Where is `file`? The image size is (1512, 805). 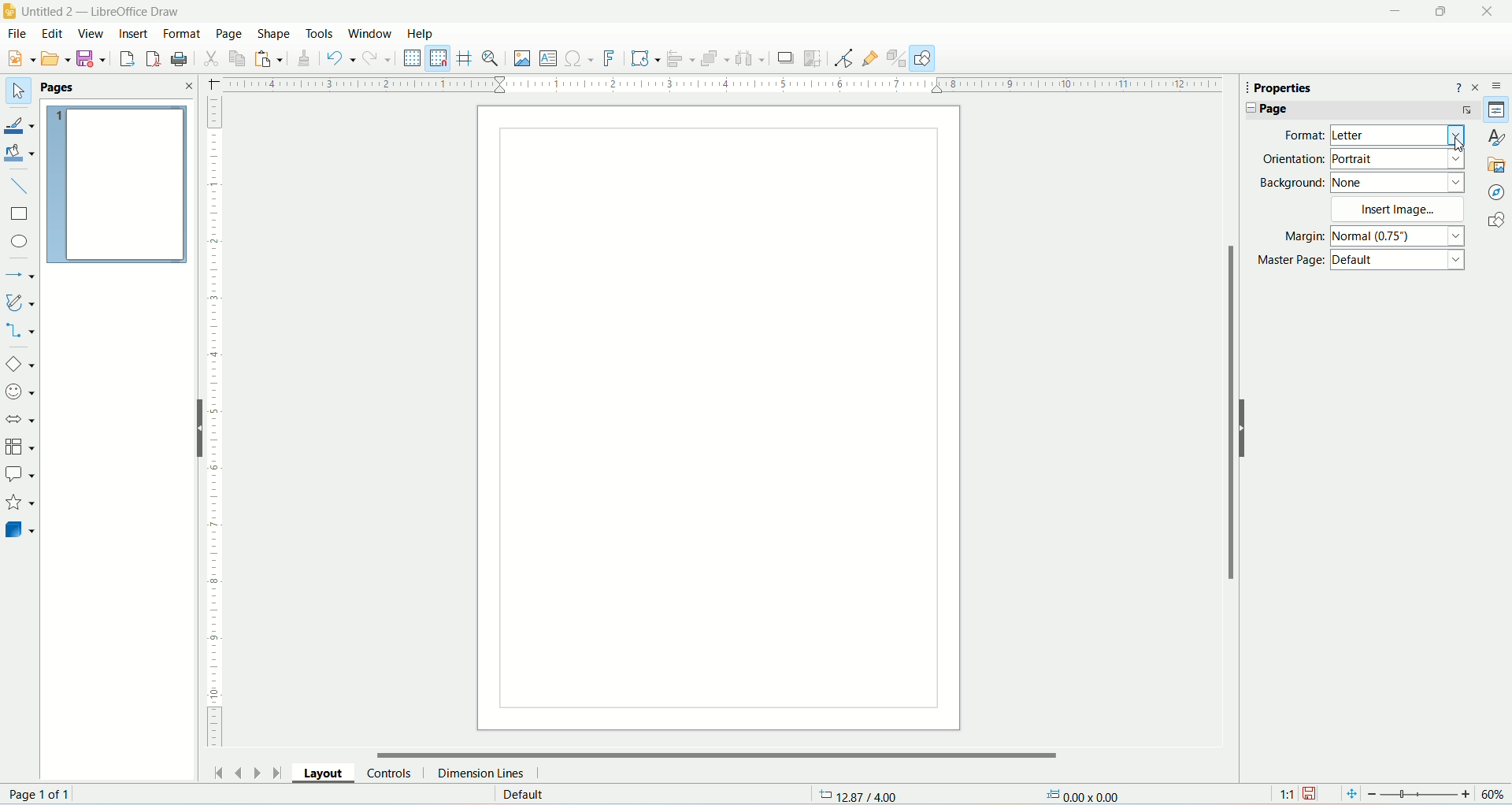
file is located at coordinates (17, 34).